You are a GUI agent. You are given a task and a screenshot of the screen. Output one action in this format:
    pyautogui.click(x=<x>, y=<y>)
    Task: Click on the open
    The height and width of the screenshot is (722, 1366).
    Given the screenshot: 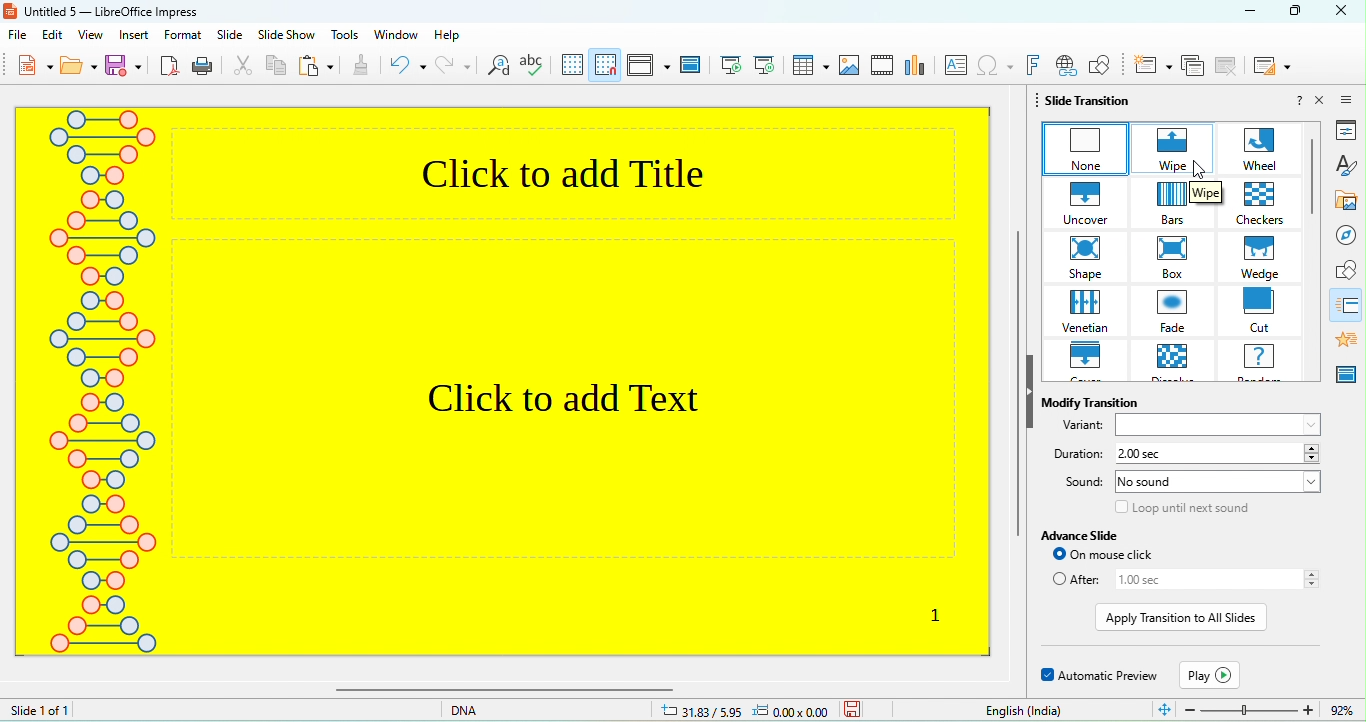 What is the action you would take?
    pyautogui.click(x=79, y=67)
    